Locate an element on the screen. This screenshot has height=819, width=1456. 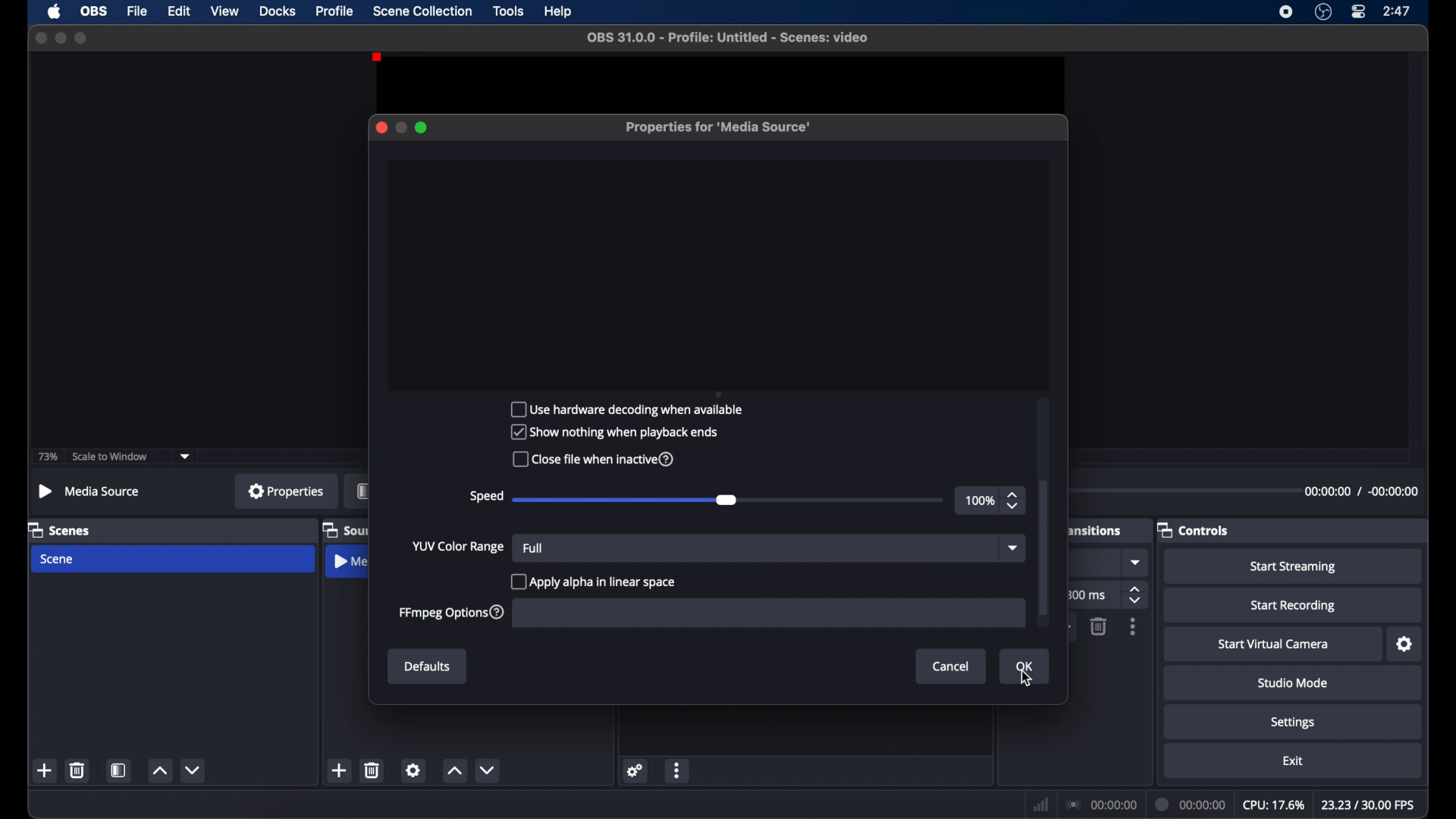
Show nothing when playback ends is located at coordinates (618, 431).